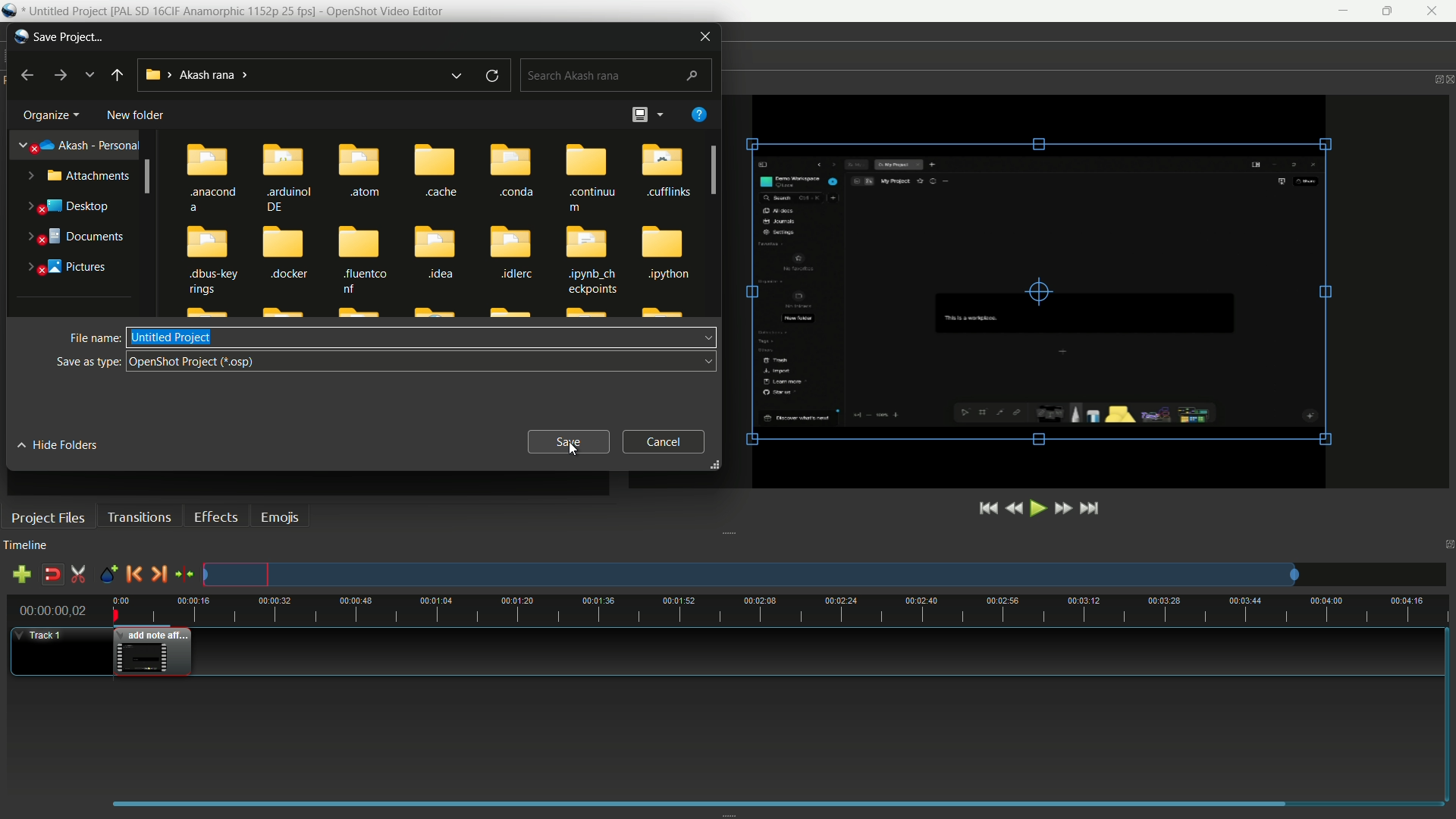  I want to click on play or pause, so click(1040, 508).